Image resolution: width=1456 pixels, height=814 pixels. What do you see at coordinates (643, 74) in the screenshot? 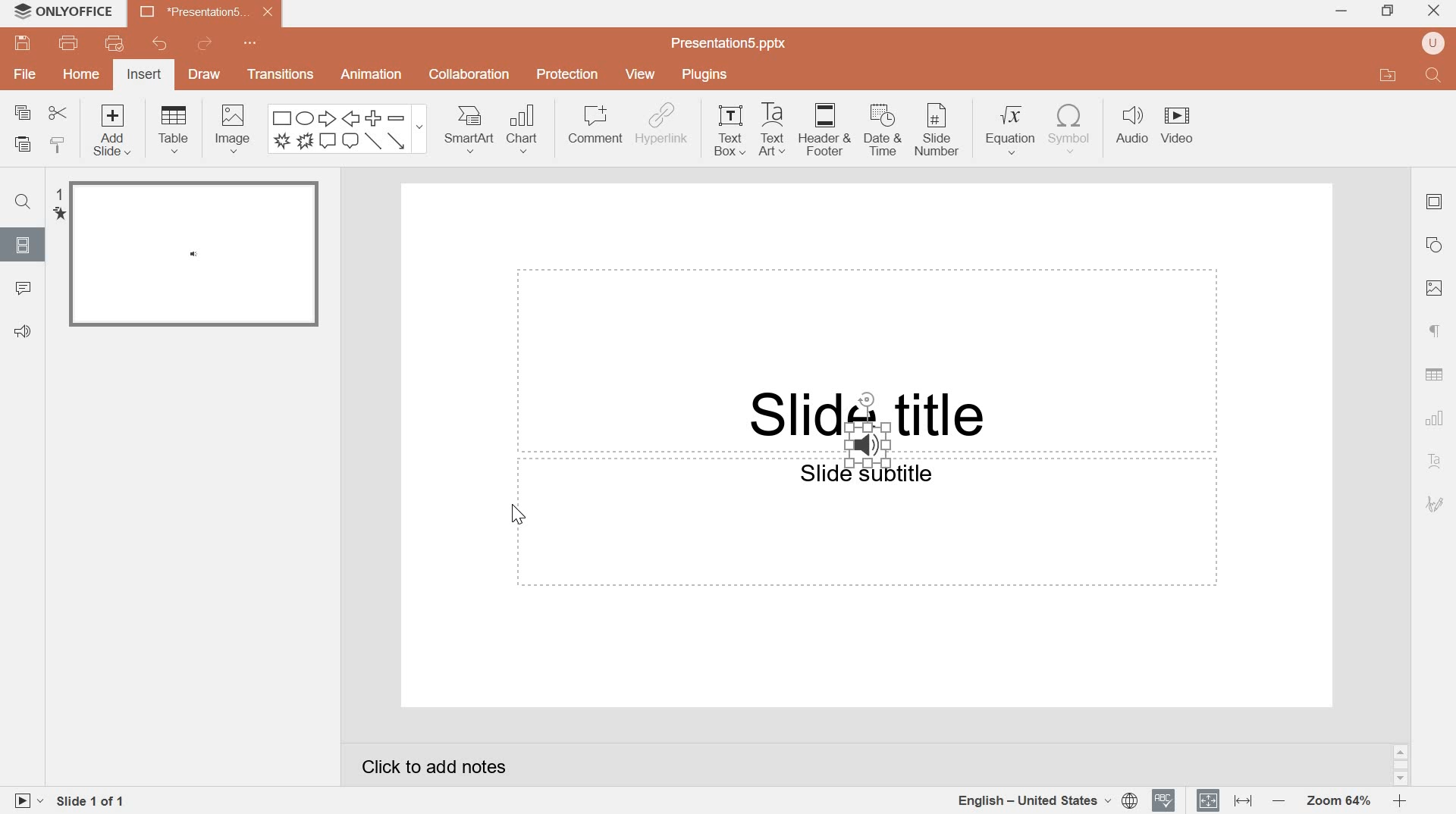
I see `view` at bounding box center [643, 74].